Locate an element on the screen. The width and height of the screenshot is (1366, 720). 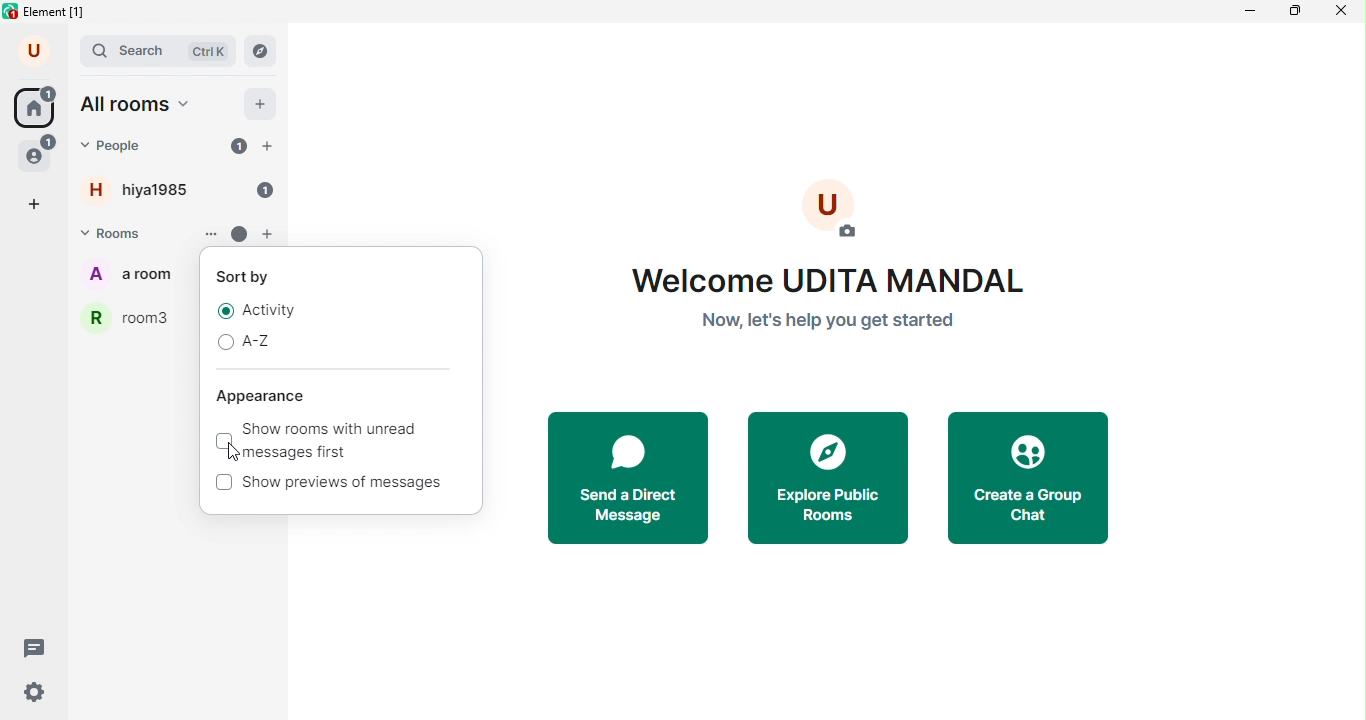
show previews of messages is located at coordinates (337, 487).